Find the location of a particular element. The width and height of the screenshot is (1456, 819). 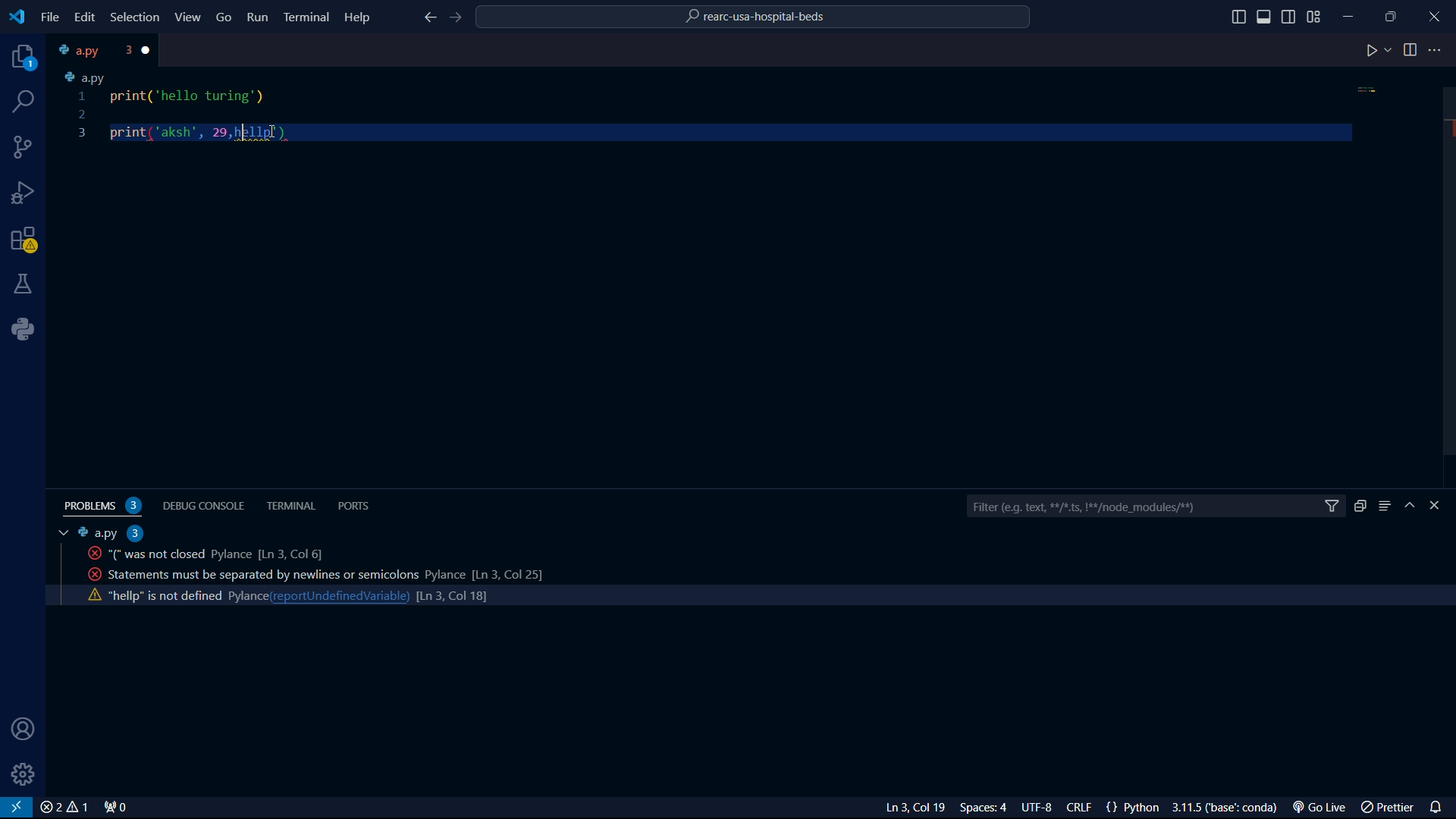

back is located at coordinates (428, 19).